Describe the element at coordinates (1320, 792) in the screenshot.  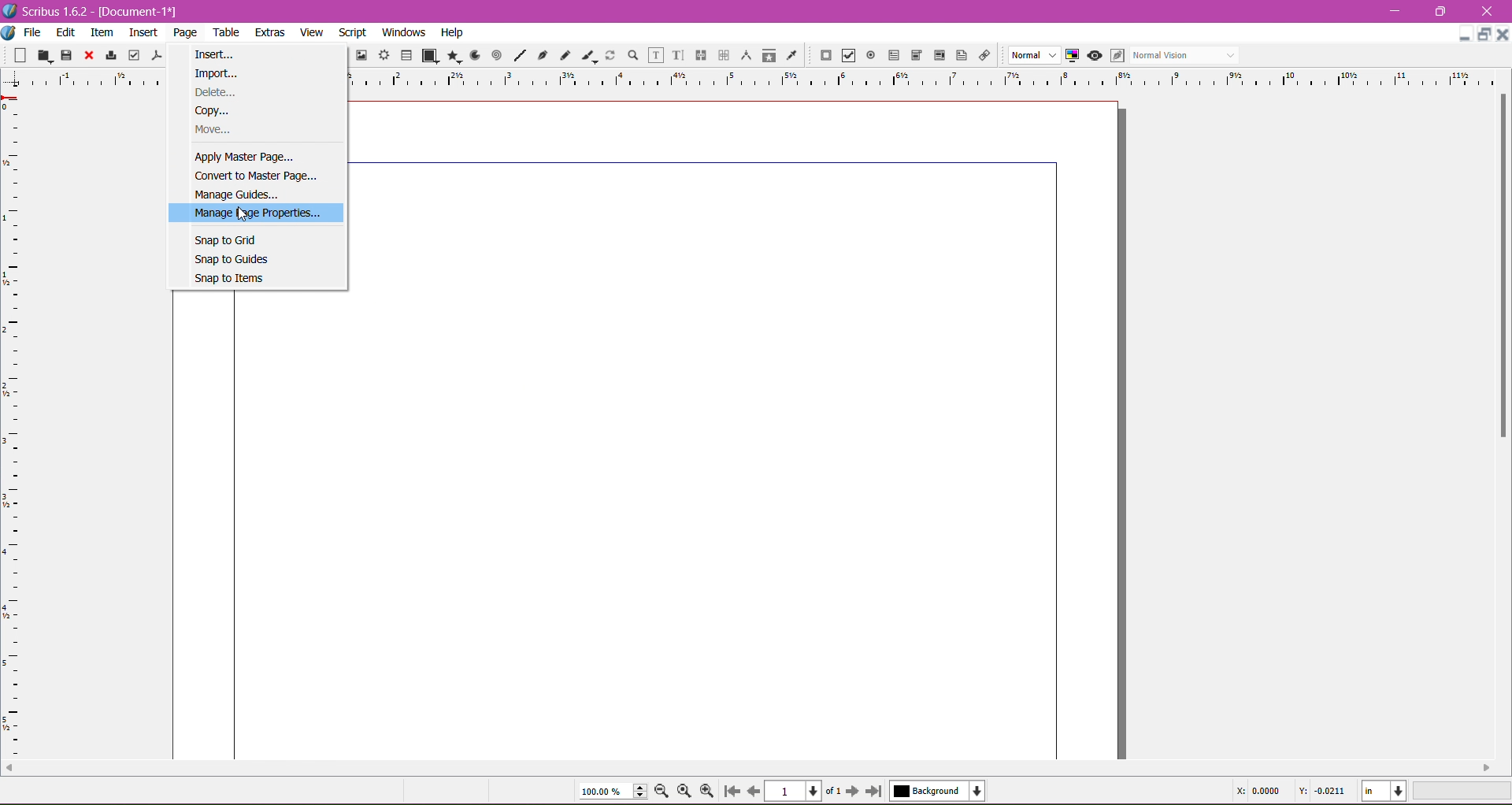
I see `Cursor Coordinate -Y ` at that location.